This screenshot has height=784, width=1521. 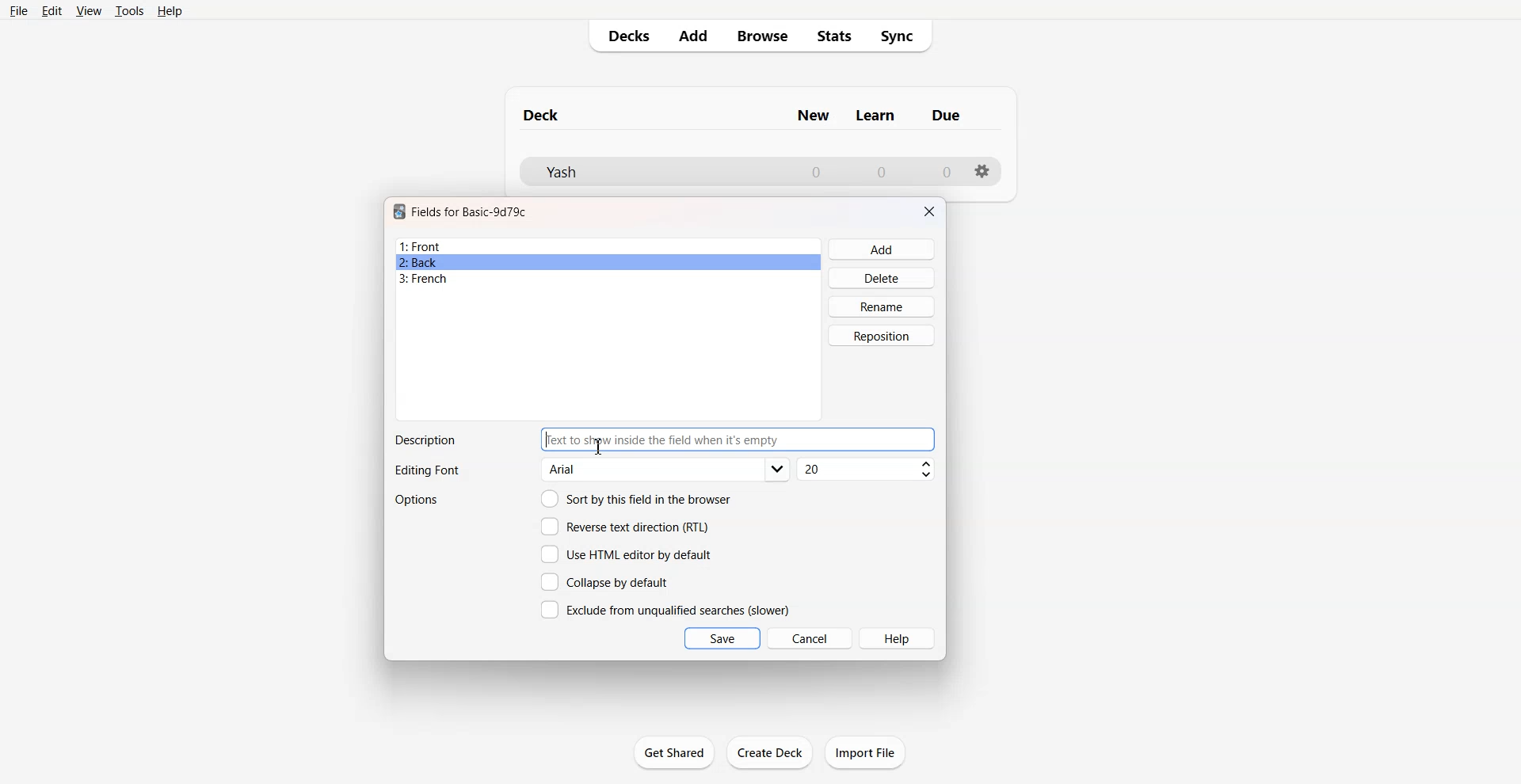 What do you see at coordinates (470, 211) in the screenshot?
I see `Text 1` at bounding box center [470, 211].